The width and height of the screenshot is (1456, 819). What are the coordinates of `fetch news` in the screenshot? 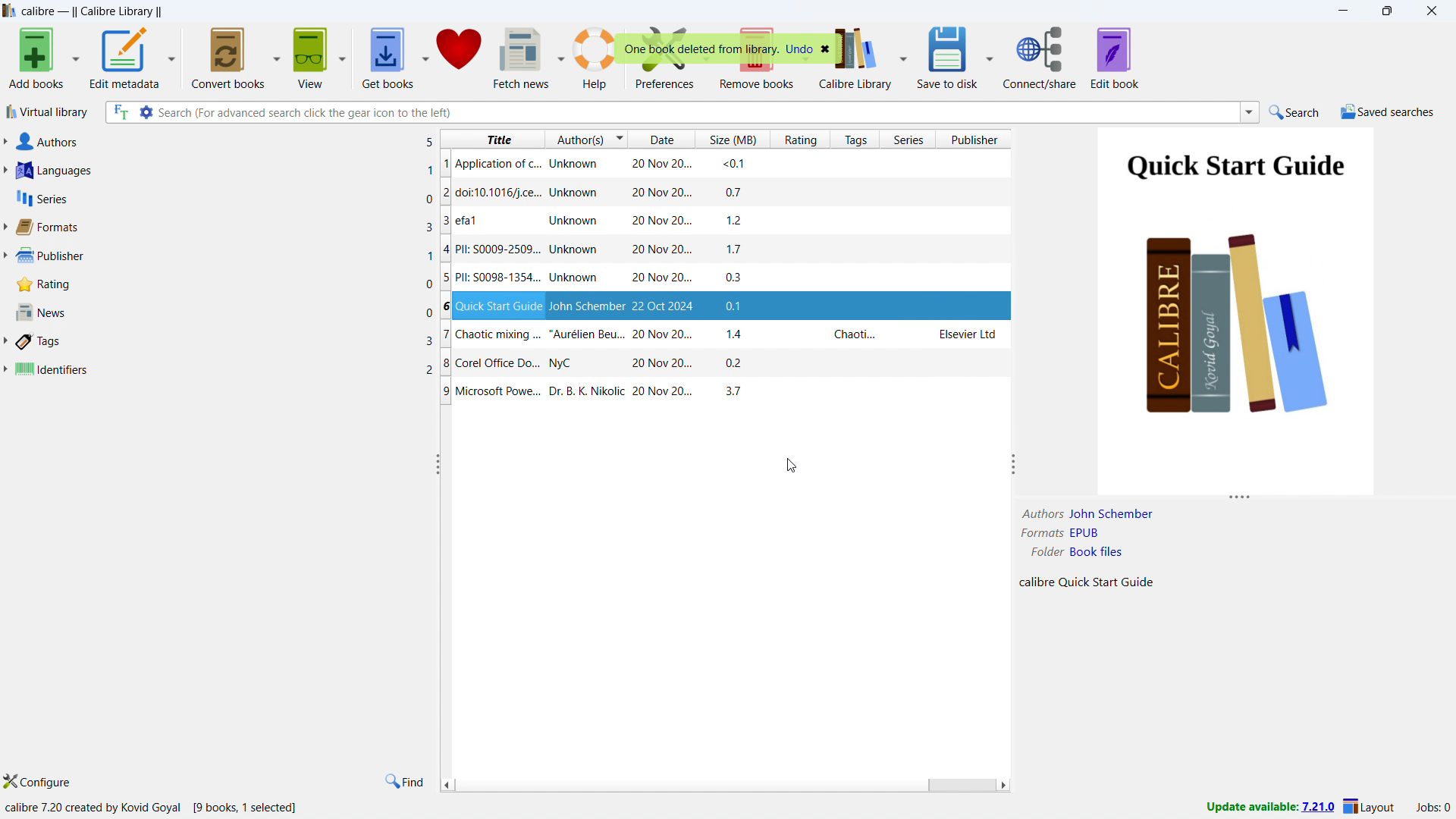 It's located at (522, 57).